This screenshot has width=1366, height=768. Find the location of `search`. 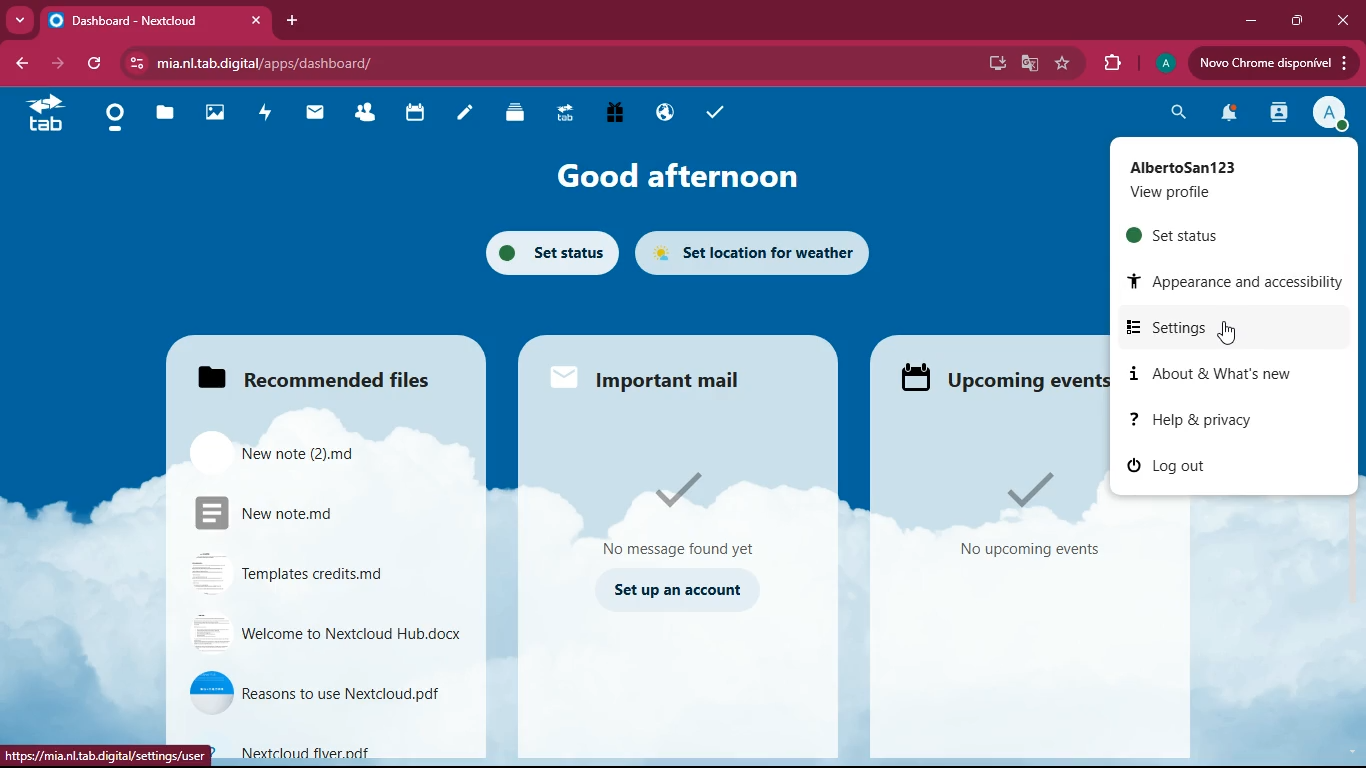

search is located at coordinates (1173, 113).